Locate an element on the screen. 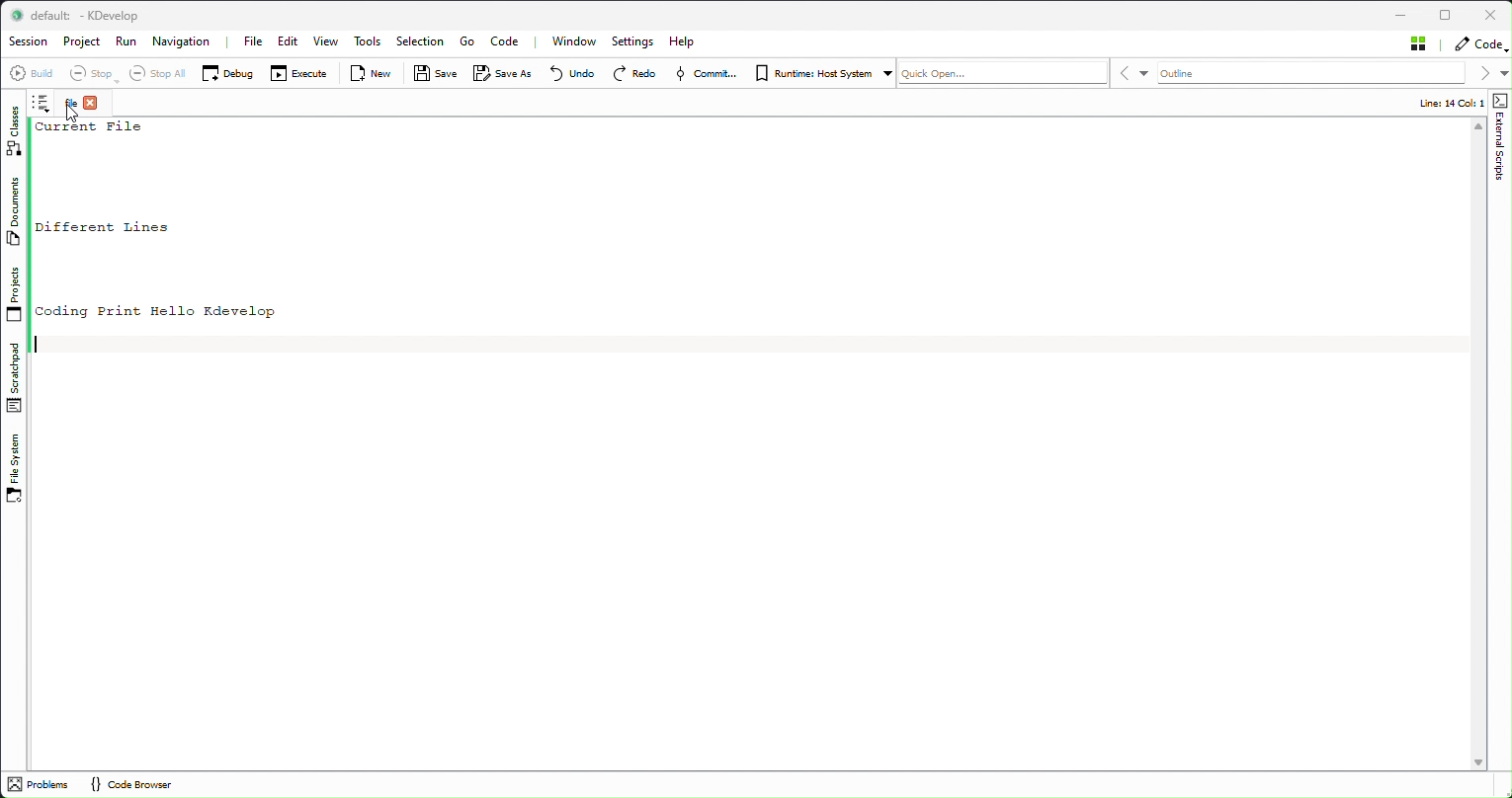 Image resolution: width=1512 pixels, height=798 pixels. Navigation is located at coordinates (190, 42).